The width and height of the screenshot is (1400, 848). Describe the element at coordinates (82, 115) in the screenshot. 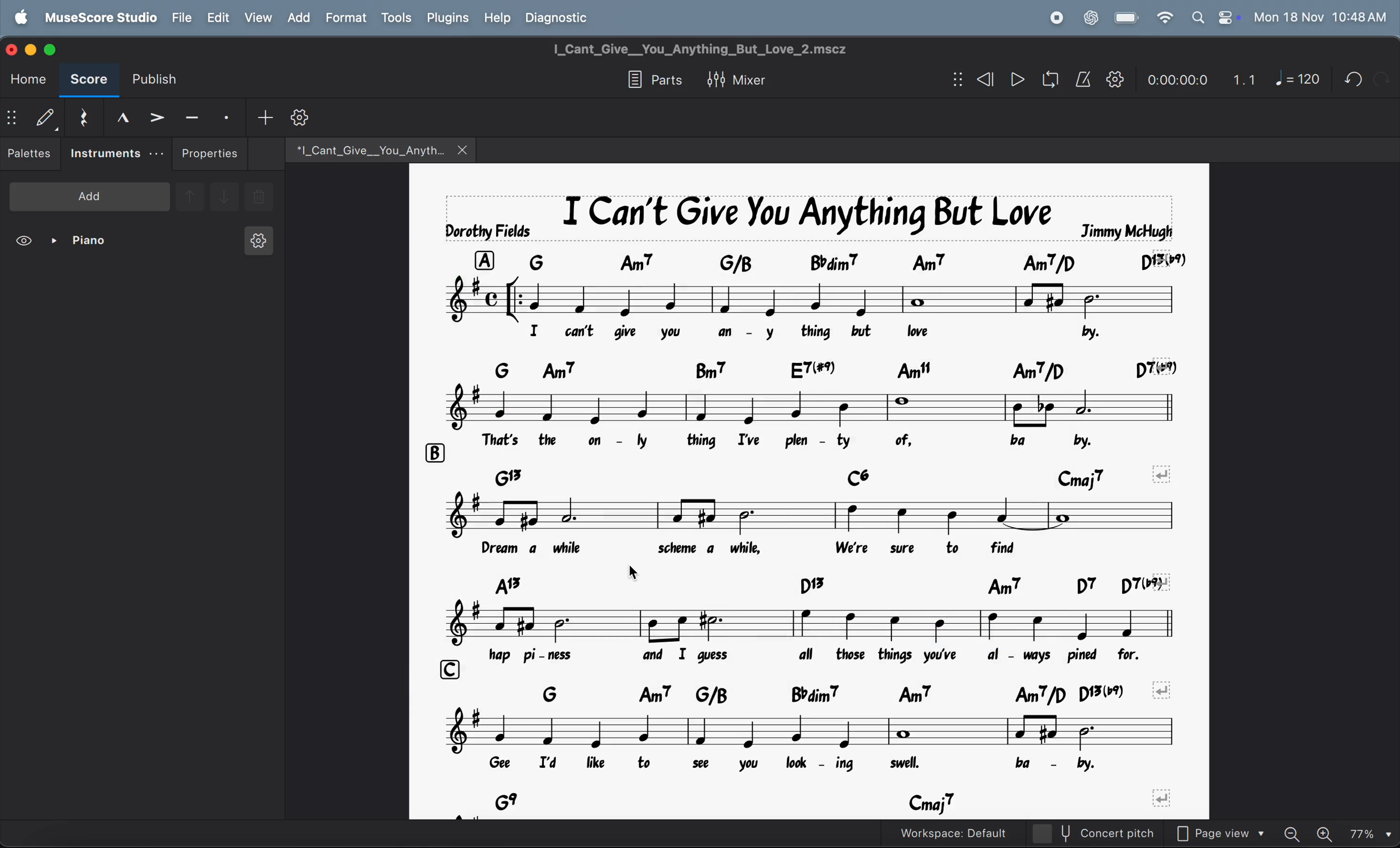

I see `reset` at that location.